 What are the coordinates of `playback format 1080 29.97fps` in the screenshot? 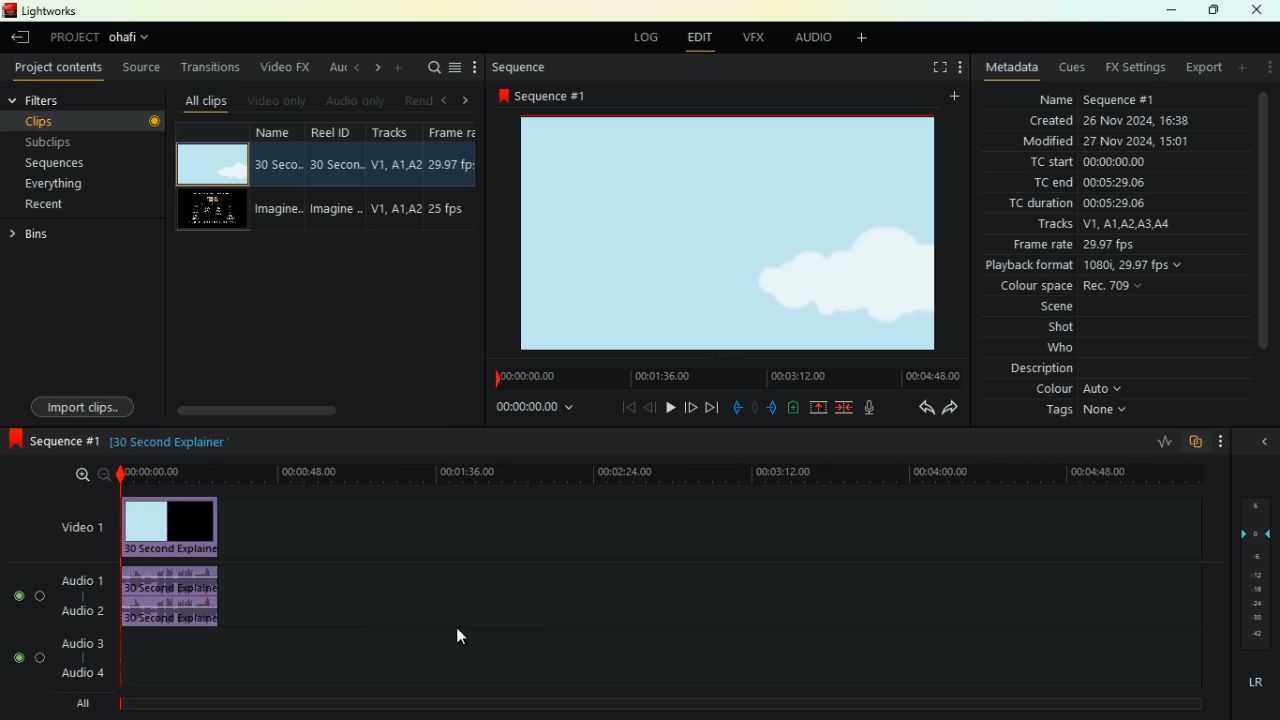 It's located at (1084, 267).